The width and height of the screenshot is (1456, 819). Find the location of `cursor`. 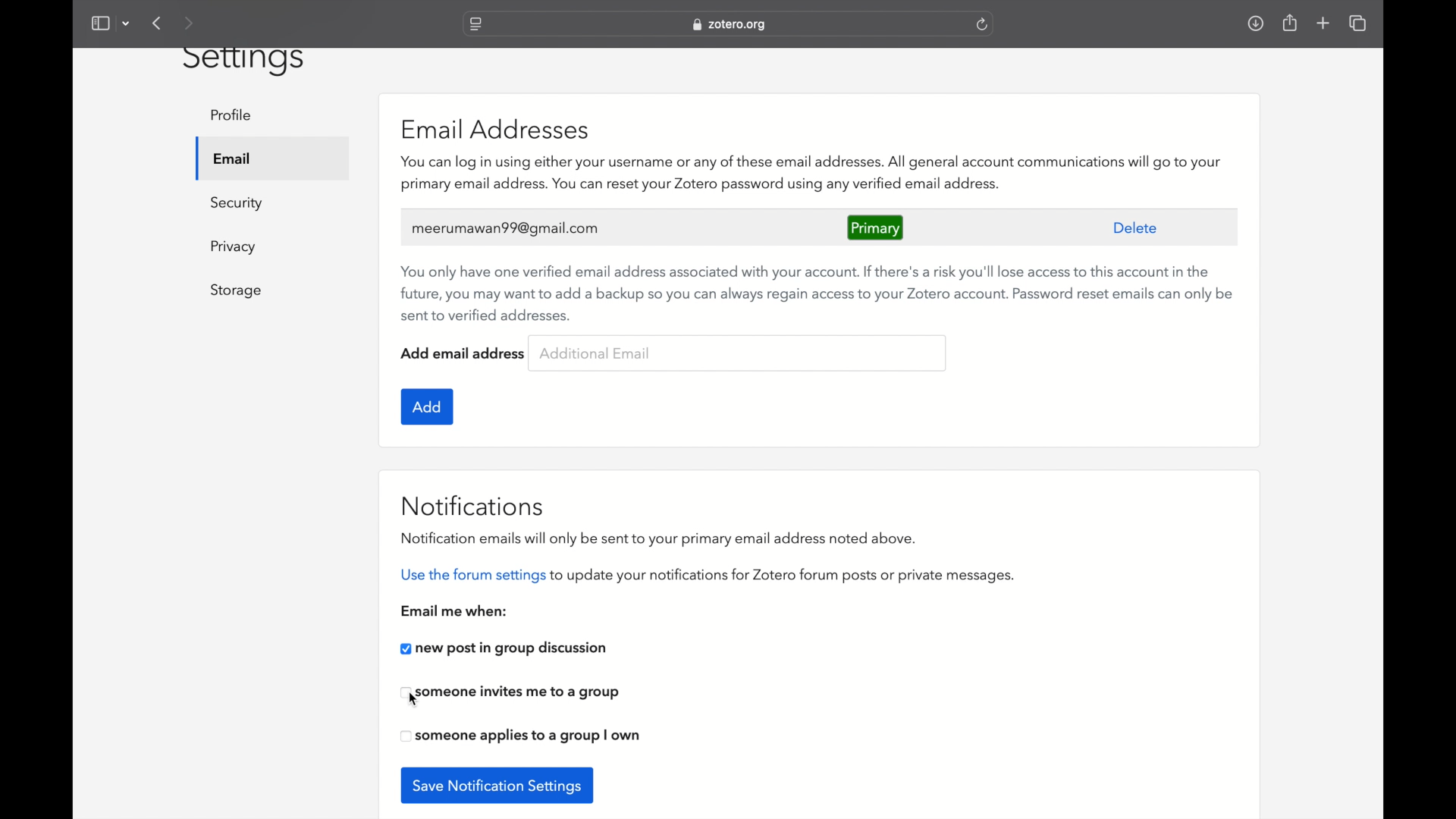

cursor is located at coordinates (413, 699).